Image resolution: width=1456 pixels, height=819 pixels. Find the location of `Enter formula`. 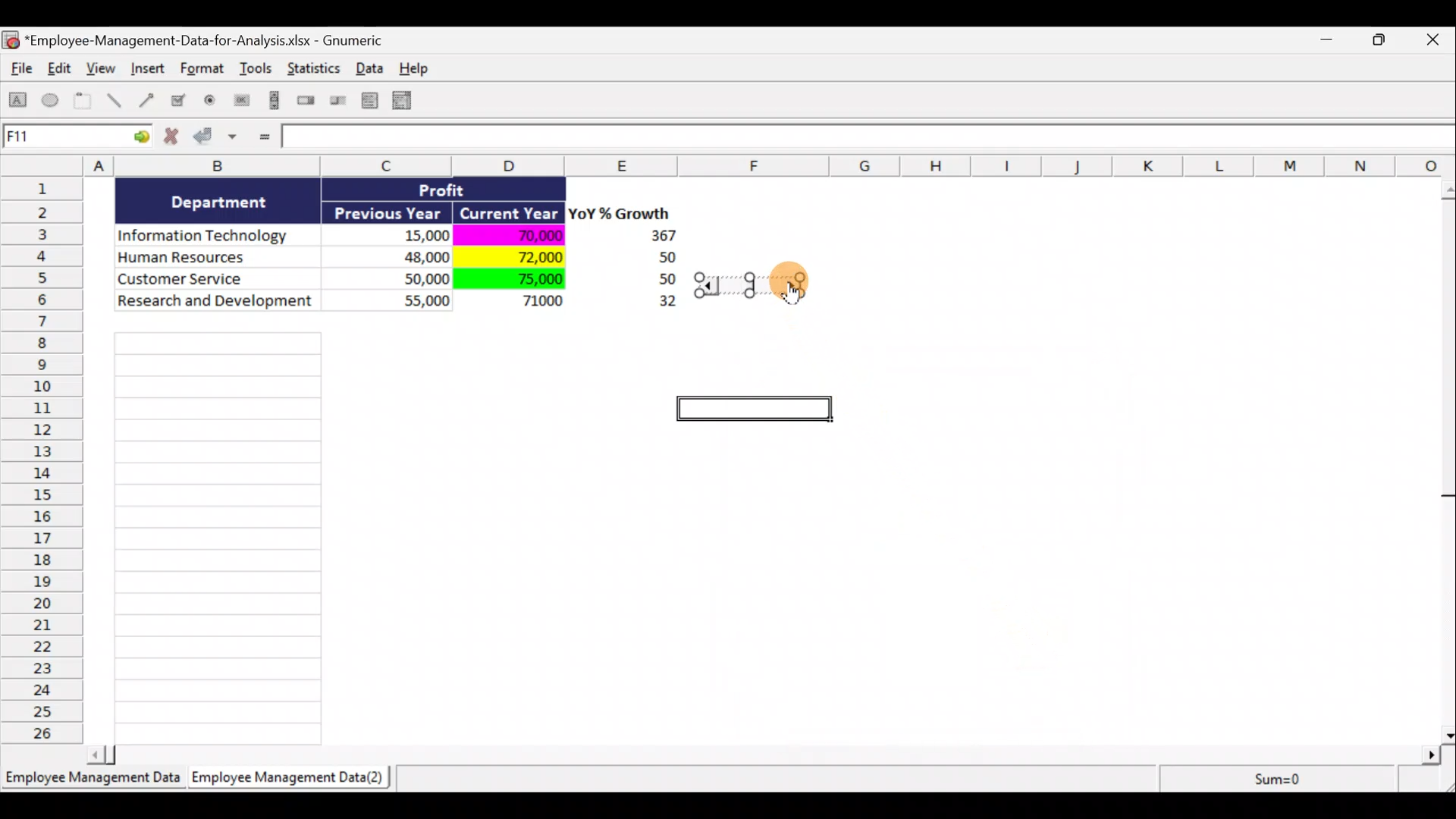

Enter formula is located at coordinates (262, 138).